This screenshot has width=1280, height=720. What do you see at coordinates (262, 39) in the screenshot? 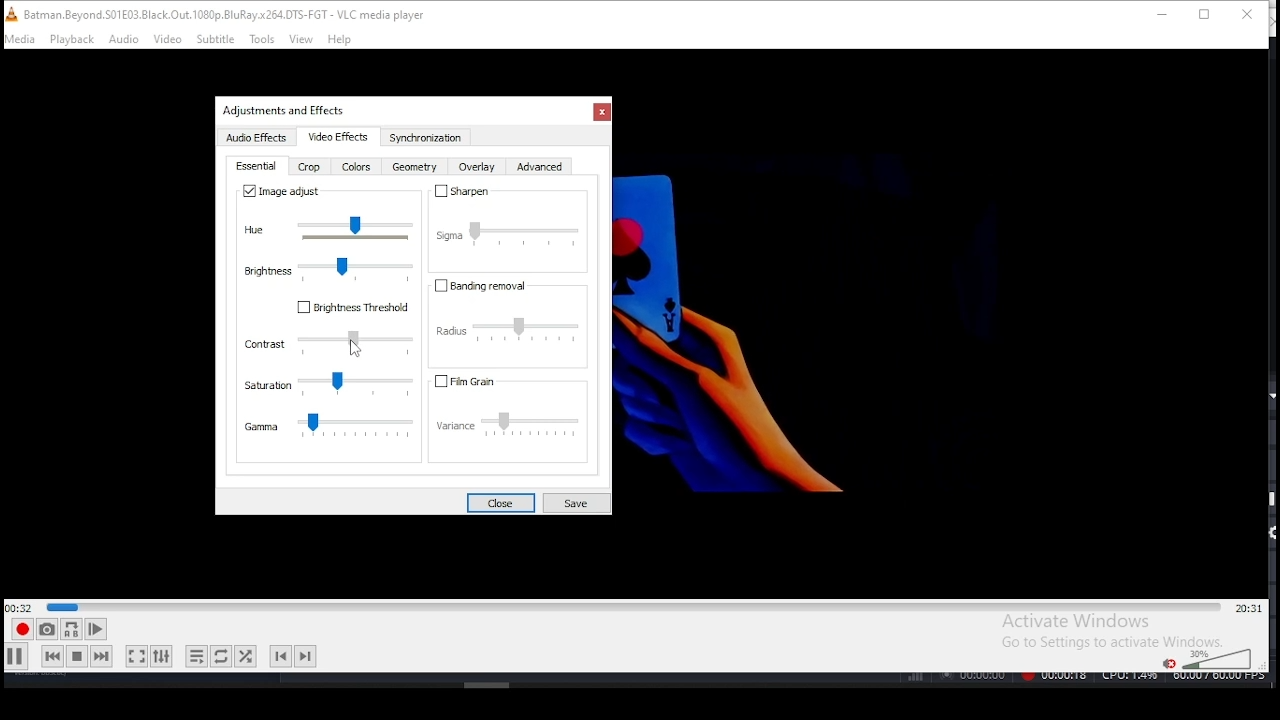
I see `tools` at bounding box center [262, 39].